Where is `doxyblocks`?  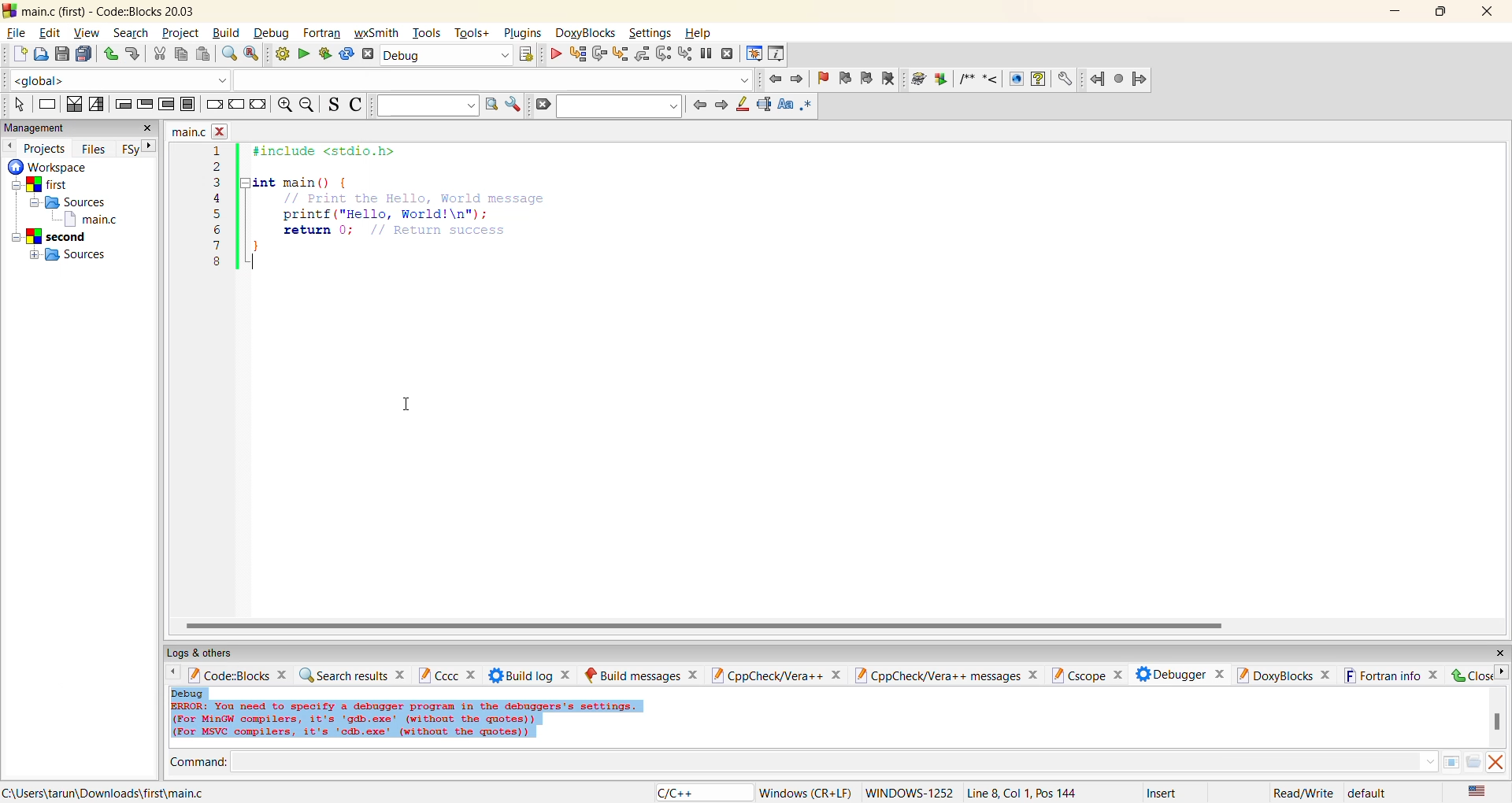 doxyblocks is located at coordinates (929, 80).